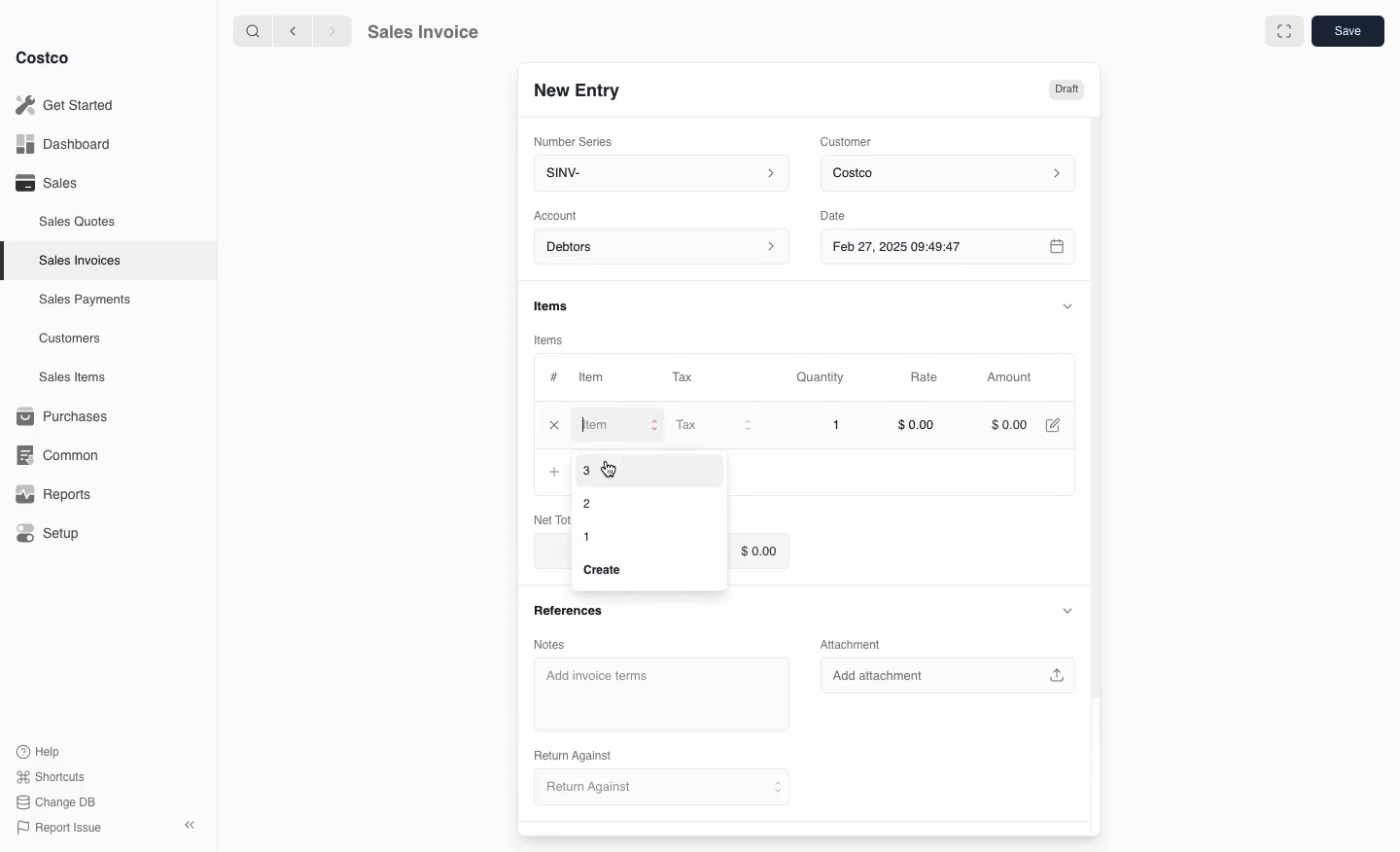  Describe the element at coordinates (687, 376) in the screenshot. I see `Tax` at that location.